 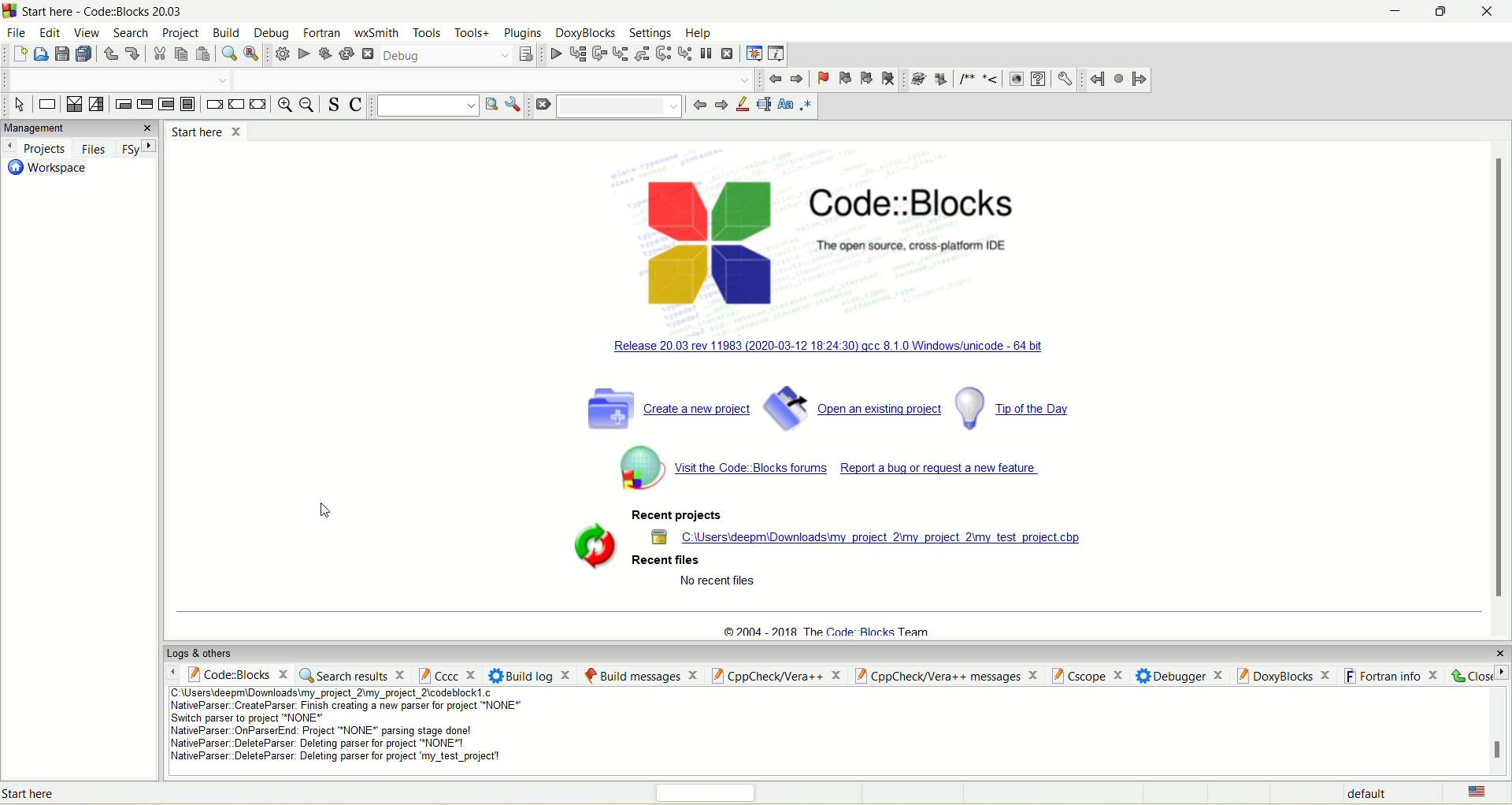 I want to click on new, so click(x=19, y=54).